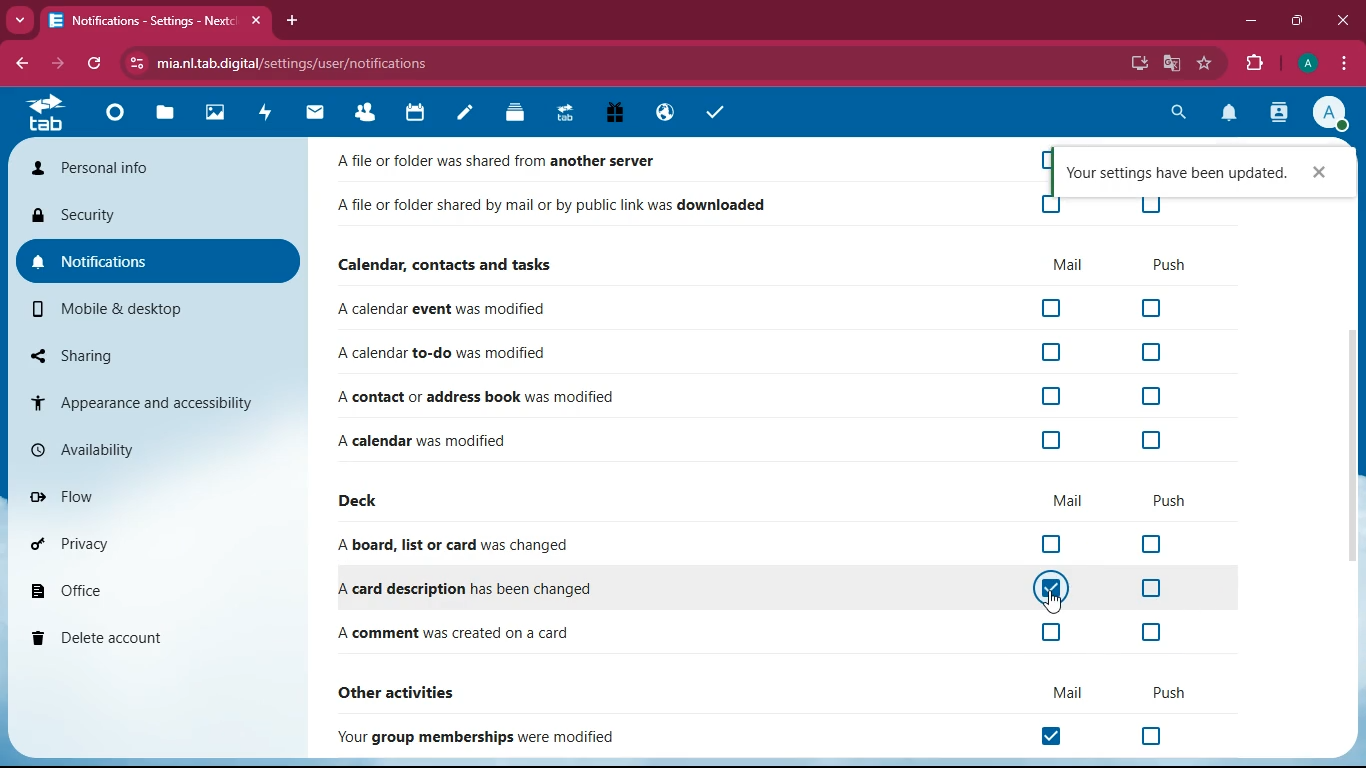 The width and height of the screenshot is (1366, 768). What do you see at coordinates (484, 737) in the screenshot?
I see `Your group memberships were modified` at bounding box center [484, 737].